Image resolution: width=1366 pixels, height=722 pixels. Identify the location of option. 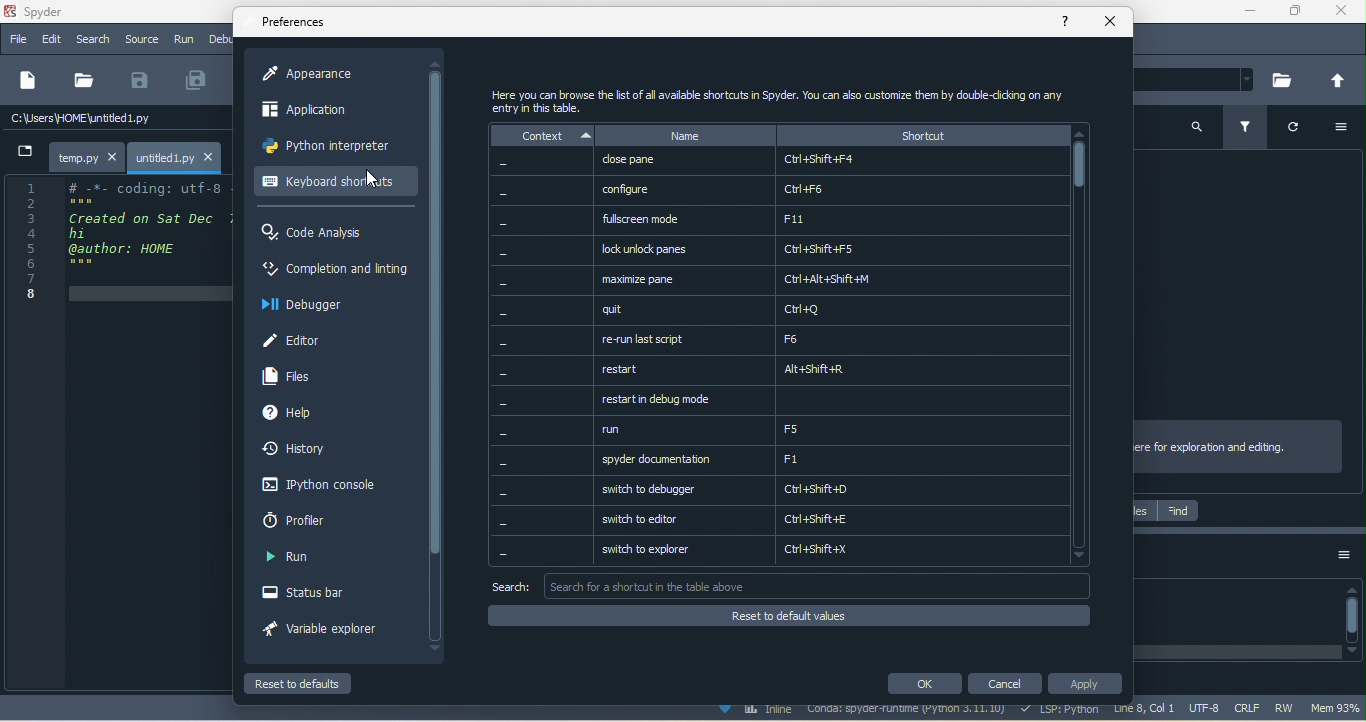
(1343, 561).